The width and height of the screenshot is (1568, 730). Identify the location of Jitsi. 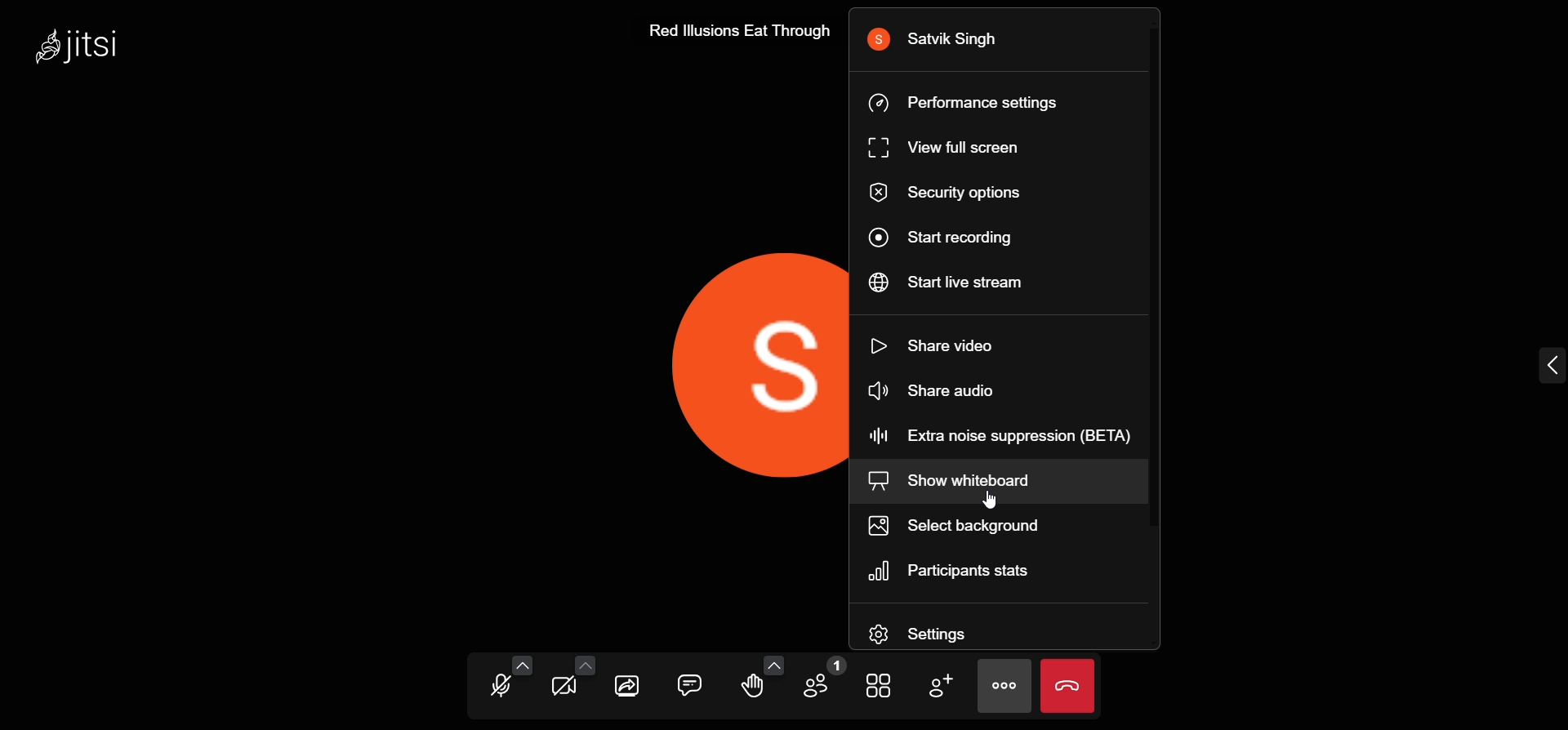
(83, 44).